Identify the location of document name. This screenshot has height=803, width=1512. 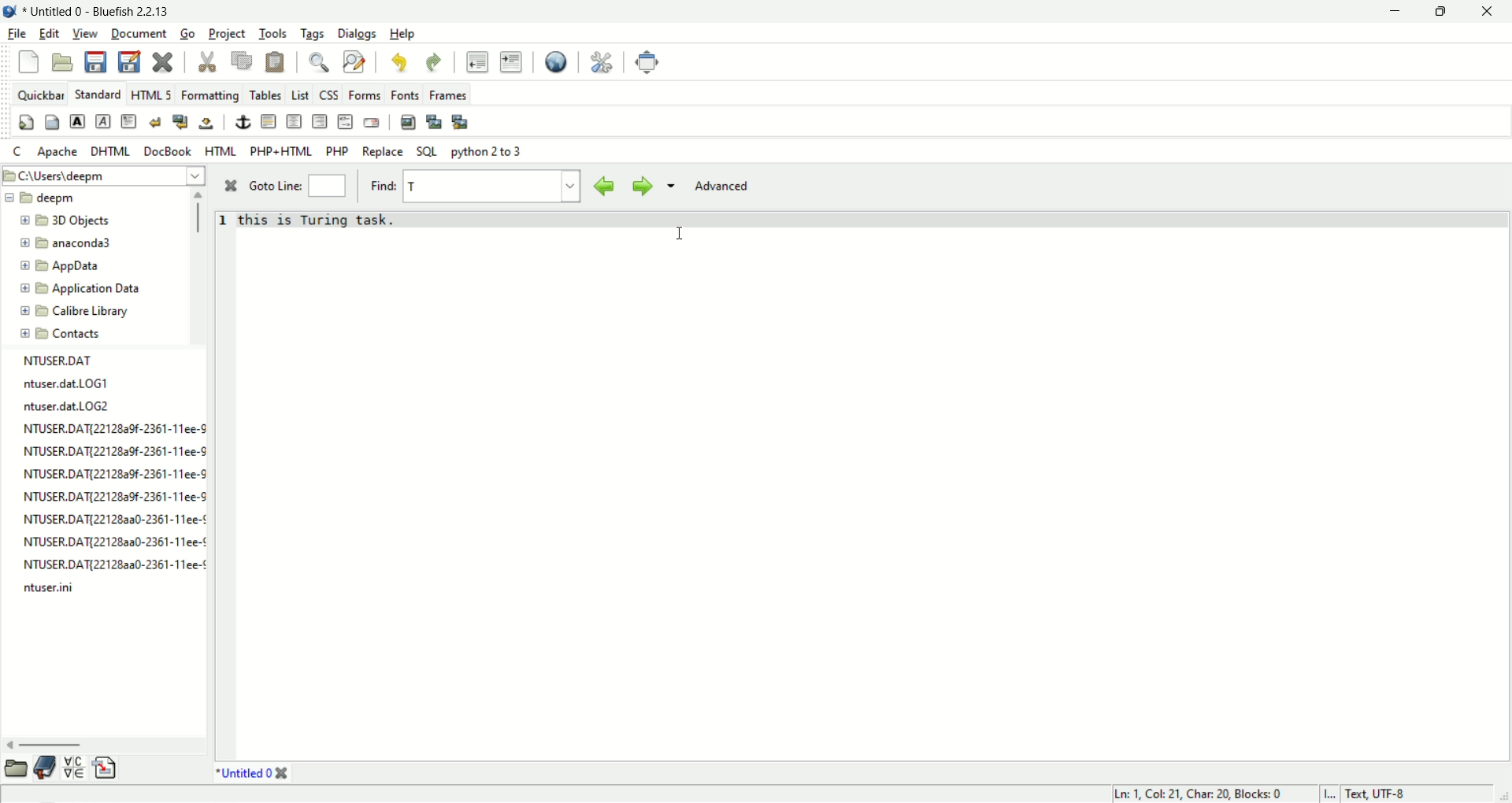
(243, 775).